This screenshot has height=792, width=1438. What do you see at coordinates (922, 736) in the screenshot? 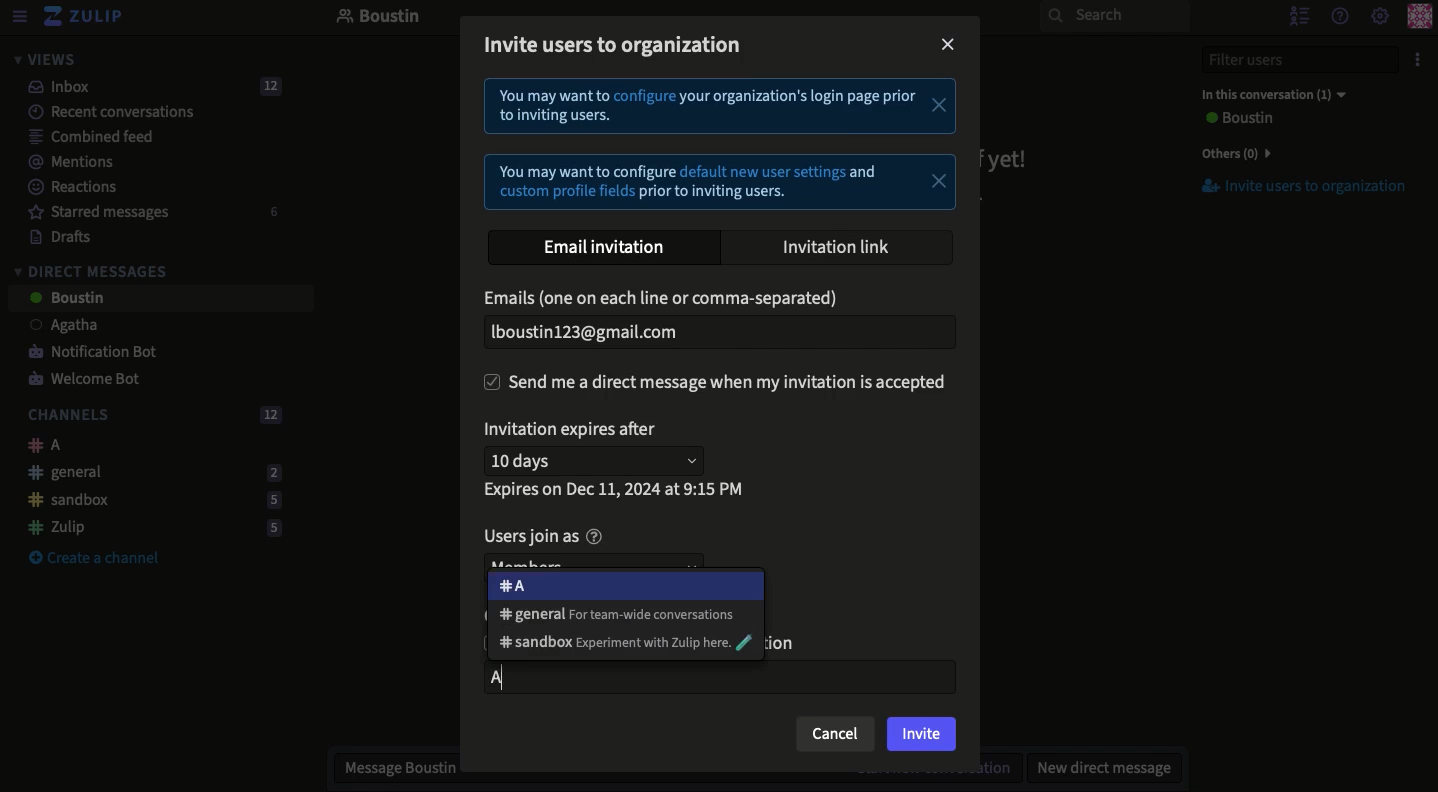
I see `Invite` at bounding box center [922, 736].